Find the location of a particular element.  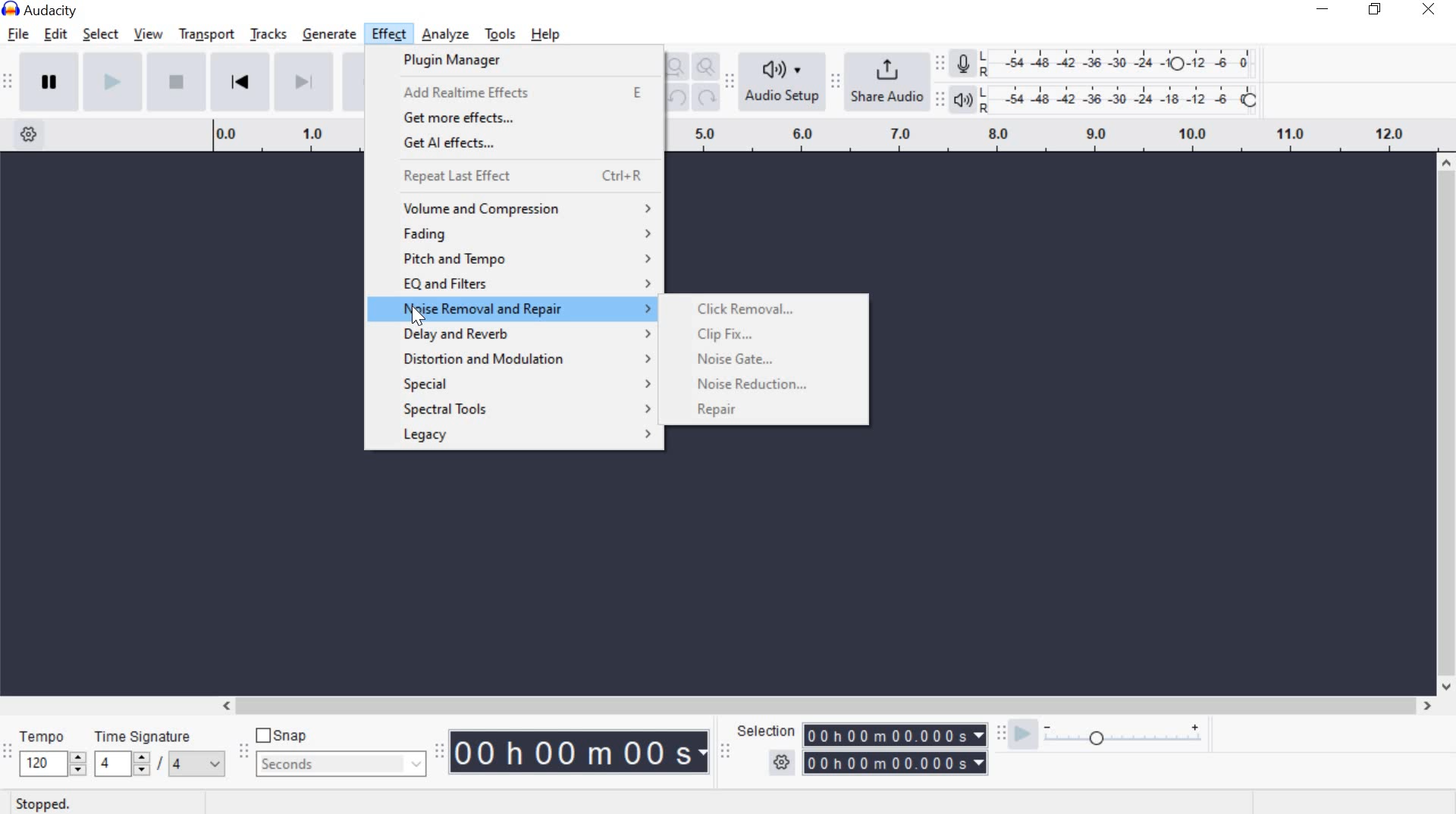

Redo is located at coordinates (707, 99).